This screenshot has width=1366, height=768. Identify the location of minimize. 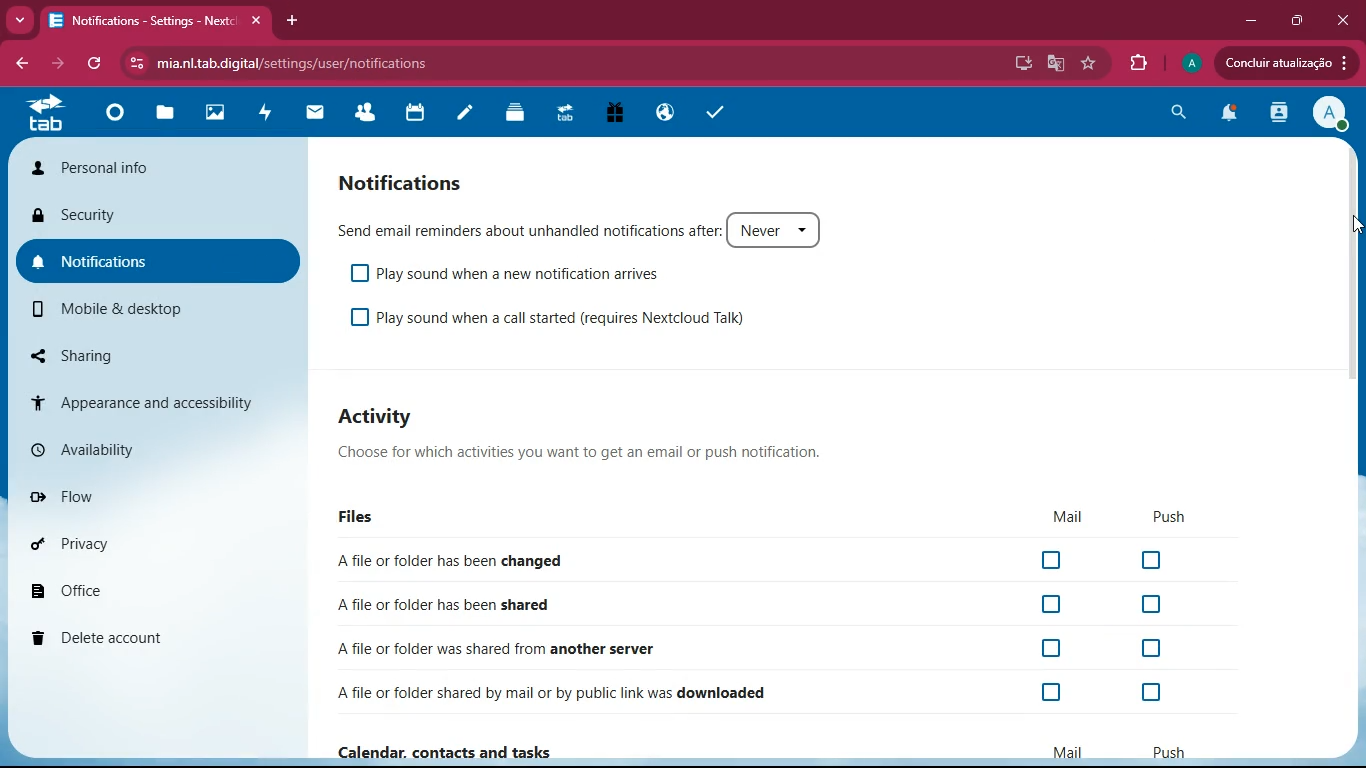
(1246, 21).